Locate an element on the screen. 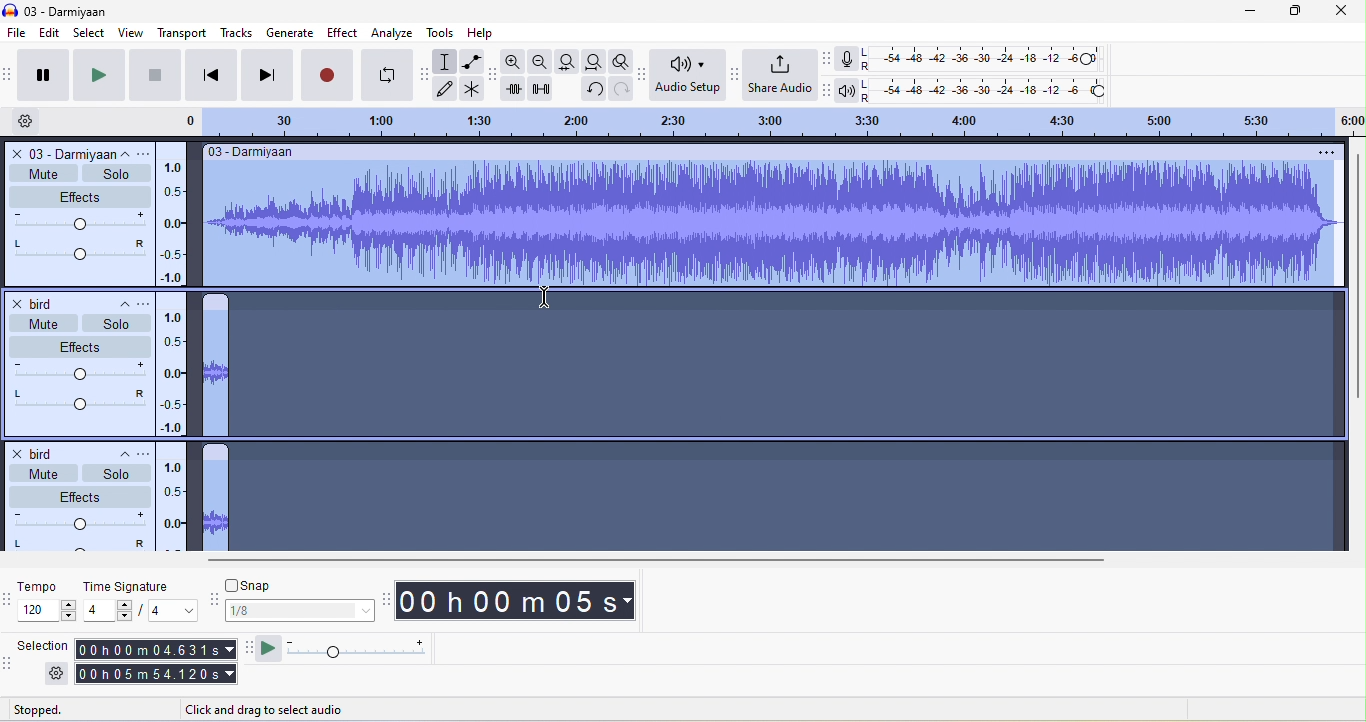  linear is located at coordinates (171, 216).